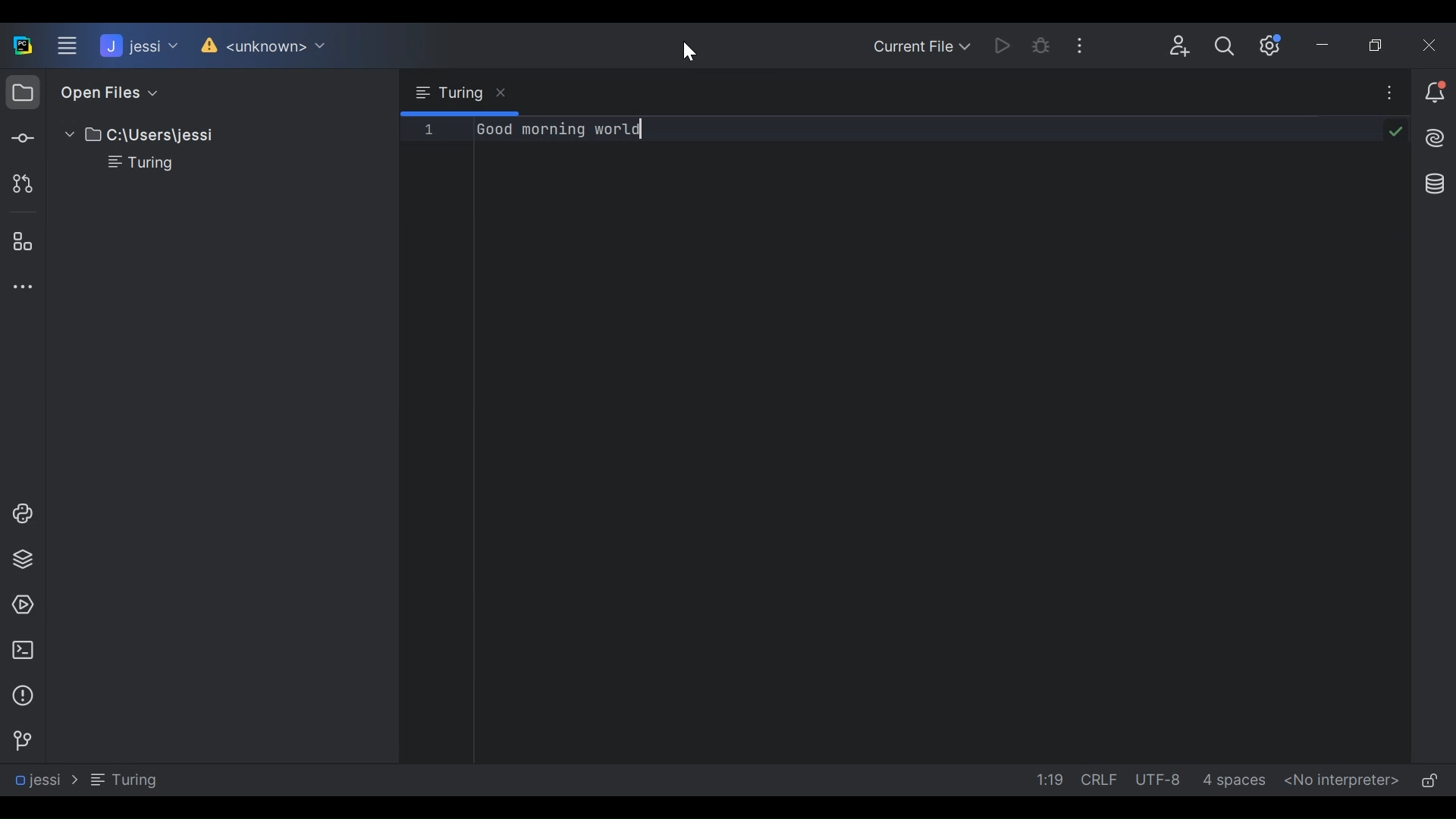  Describe the element at coordinates (22, 91) in the screenshot. I see `Project View` at that location.